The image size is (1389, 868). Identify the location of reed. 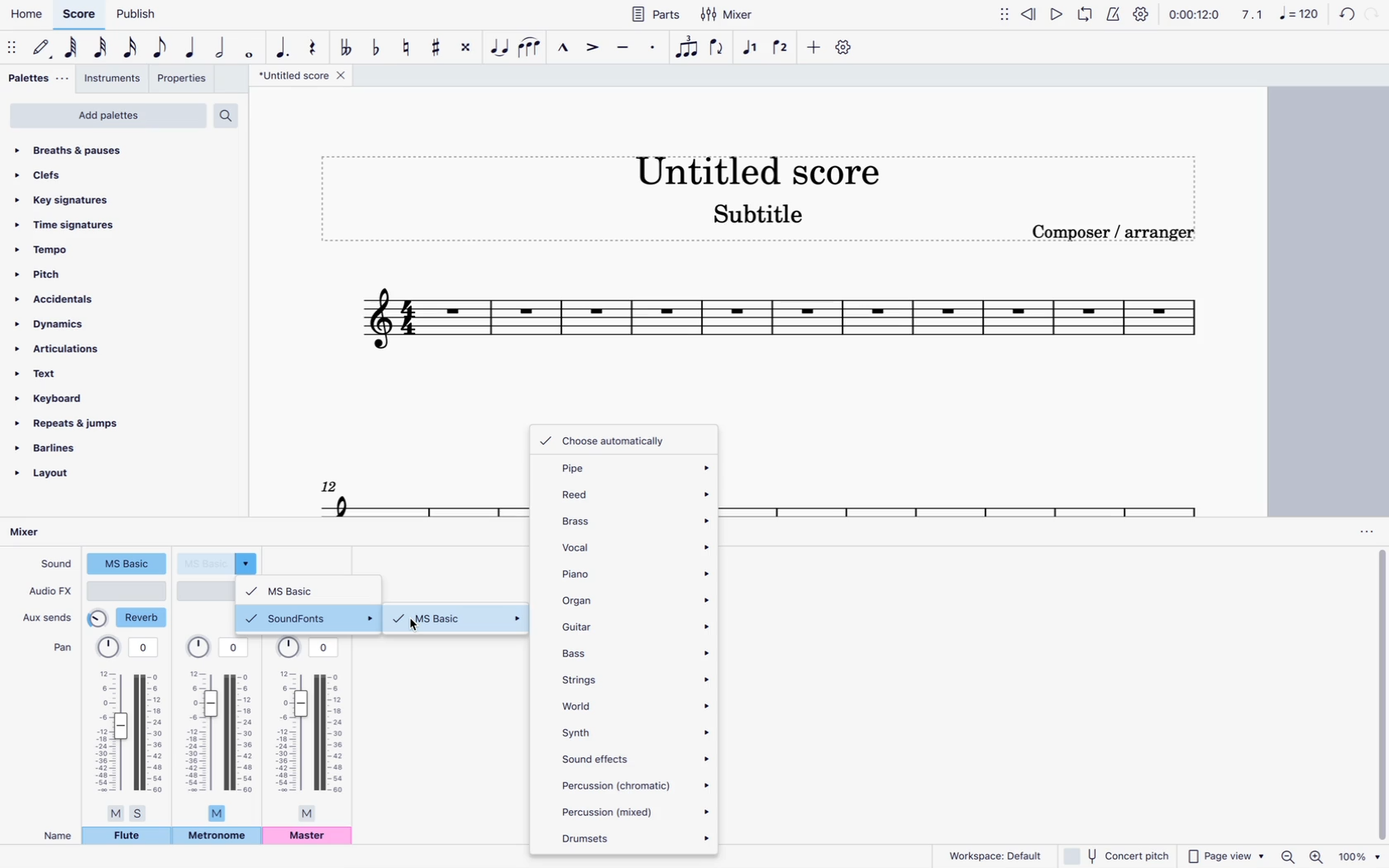
(634, 494).